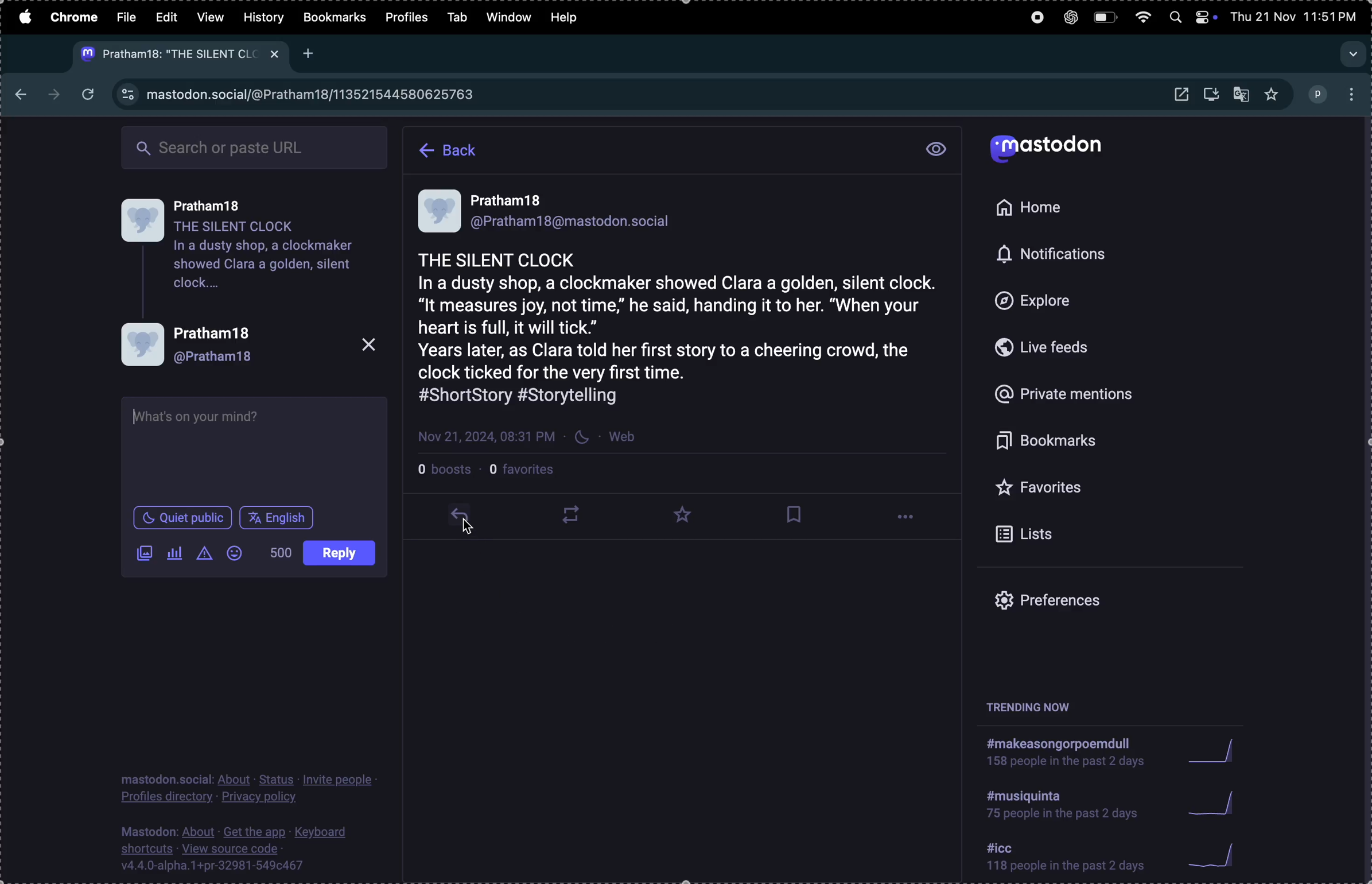  Describe the element at coordinates (1033, 18) in the screenshot. I see `record` at that location.